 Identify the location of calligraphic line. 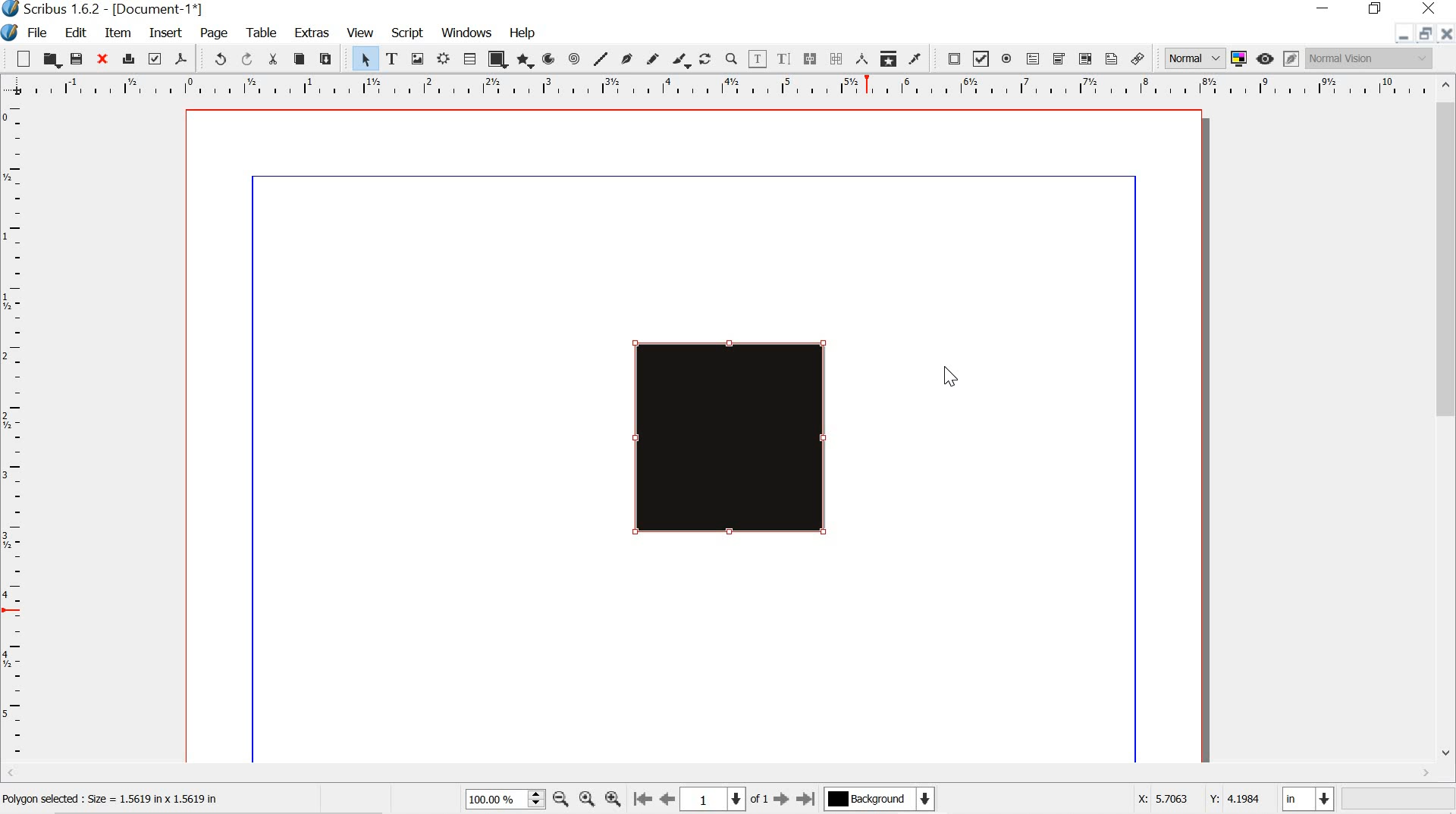
(682, 58).